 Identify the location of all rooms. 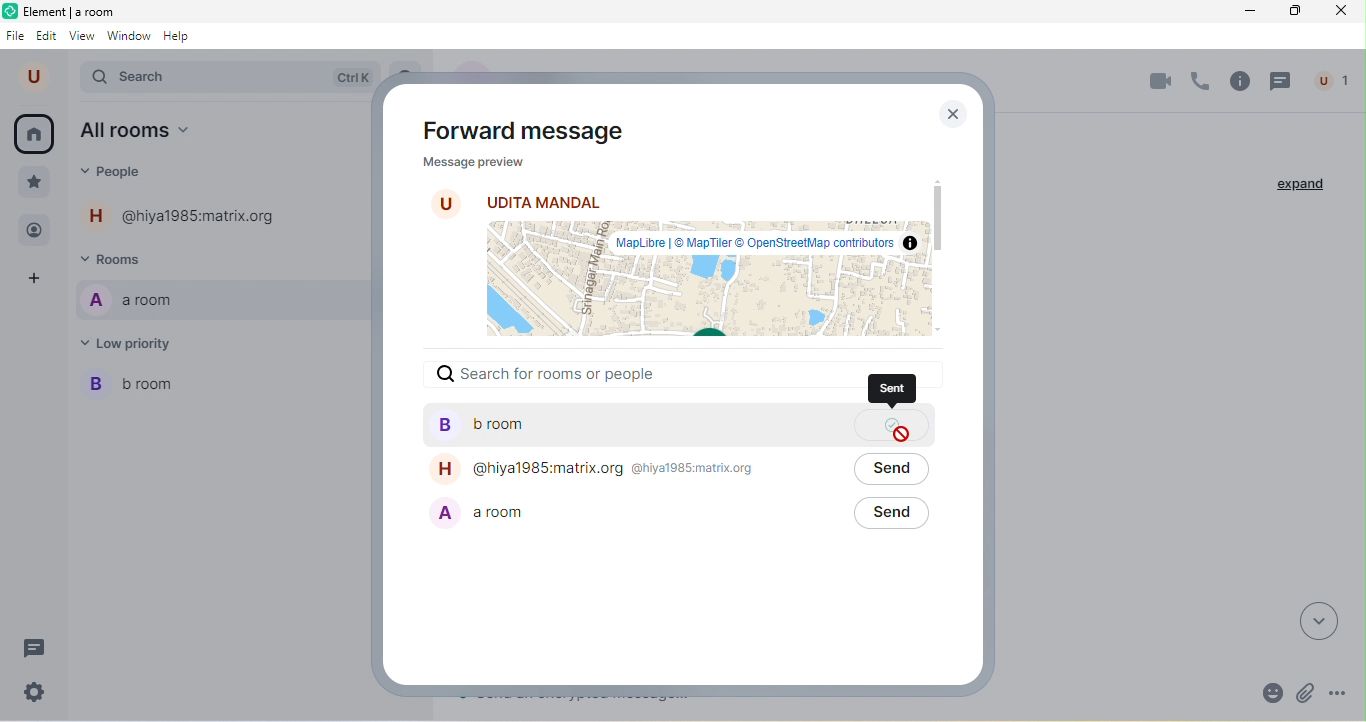
(137, 132).